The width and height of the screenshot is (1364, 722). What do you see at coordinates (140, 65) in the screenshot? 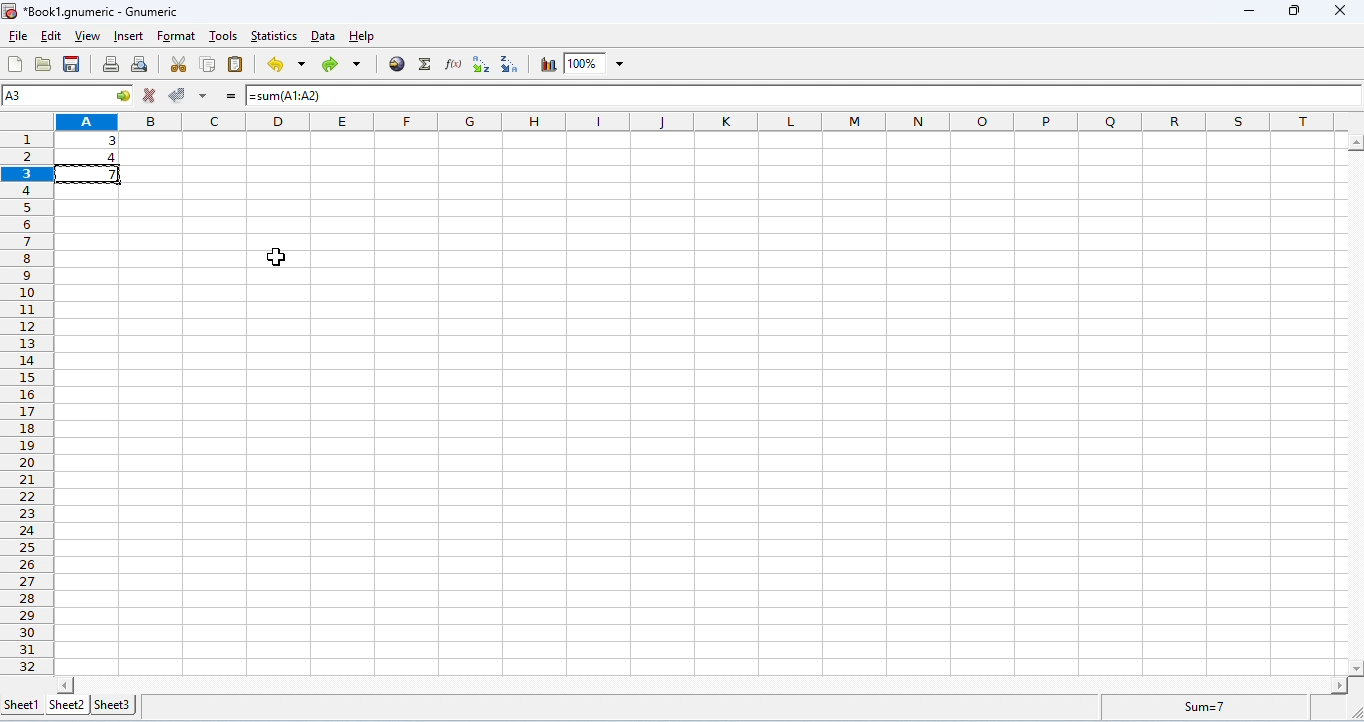
I see `print preview` at bounding box center [140, 65].